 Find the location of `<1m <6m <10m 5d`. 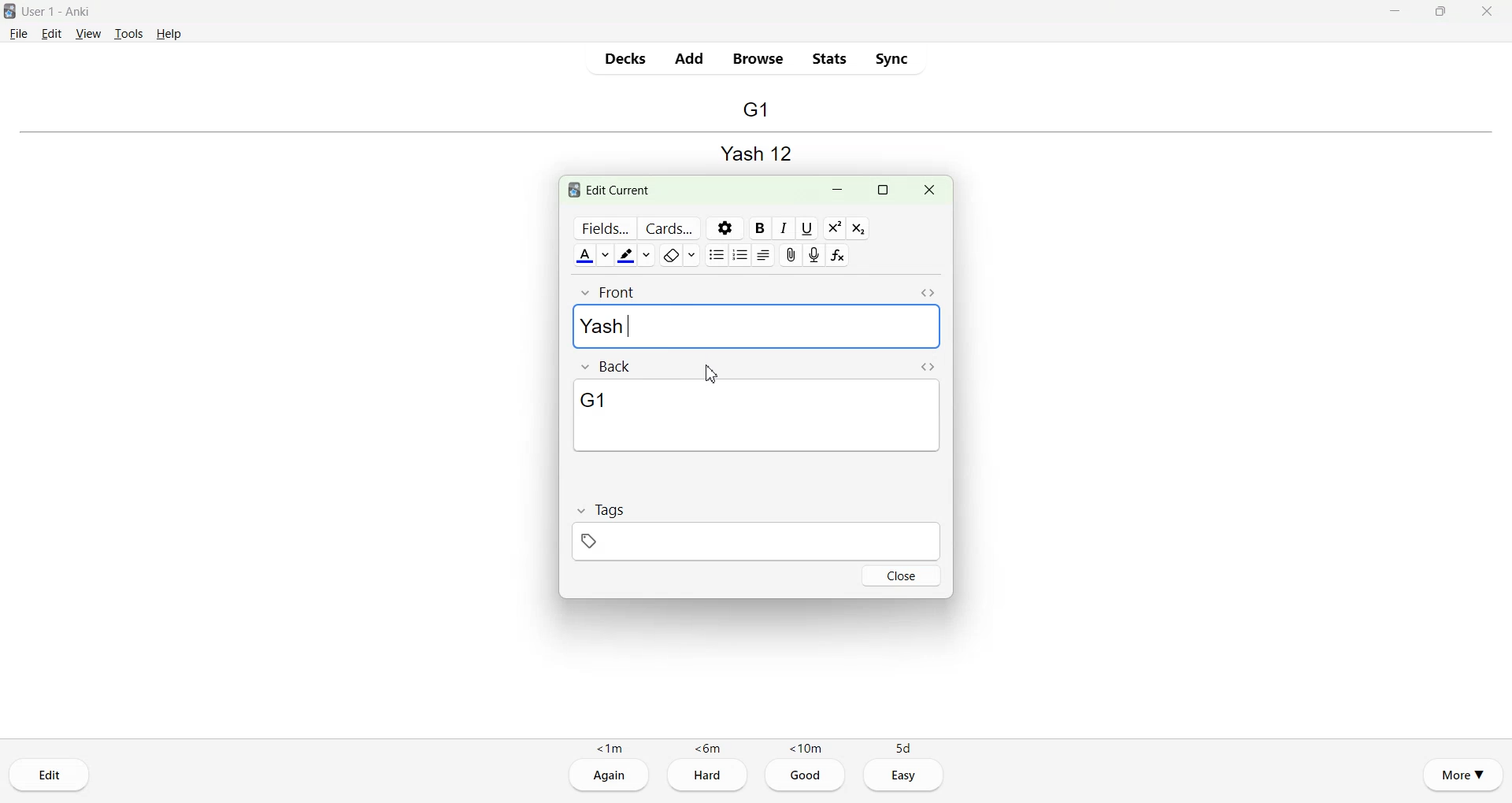

<1m <6m <10m 5d is located at coordinates (755, 747).